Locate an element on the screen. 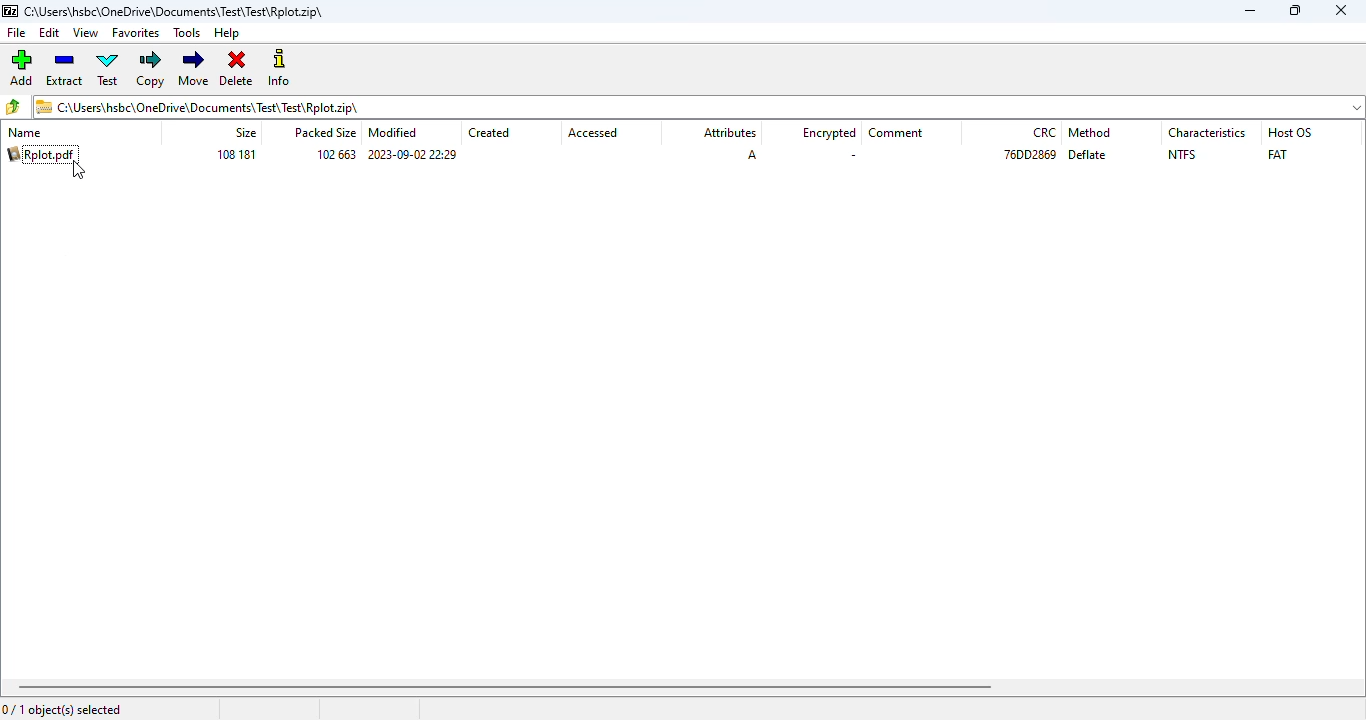 This screenshot has width=1366, height=720. C:\Users\hsbc\OneDrive\Documents\Test\Test\Rplot.zip\ is located at coordinates (166, 12).